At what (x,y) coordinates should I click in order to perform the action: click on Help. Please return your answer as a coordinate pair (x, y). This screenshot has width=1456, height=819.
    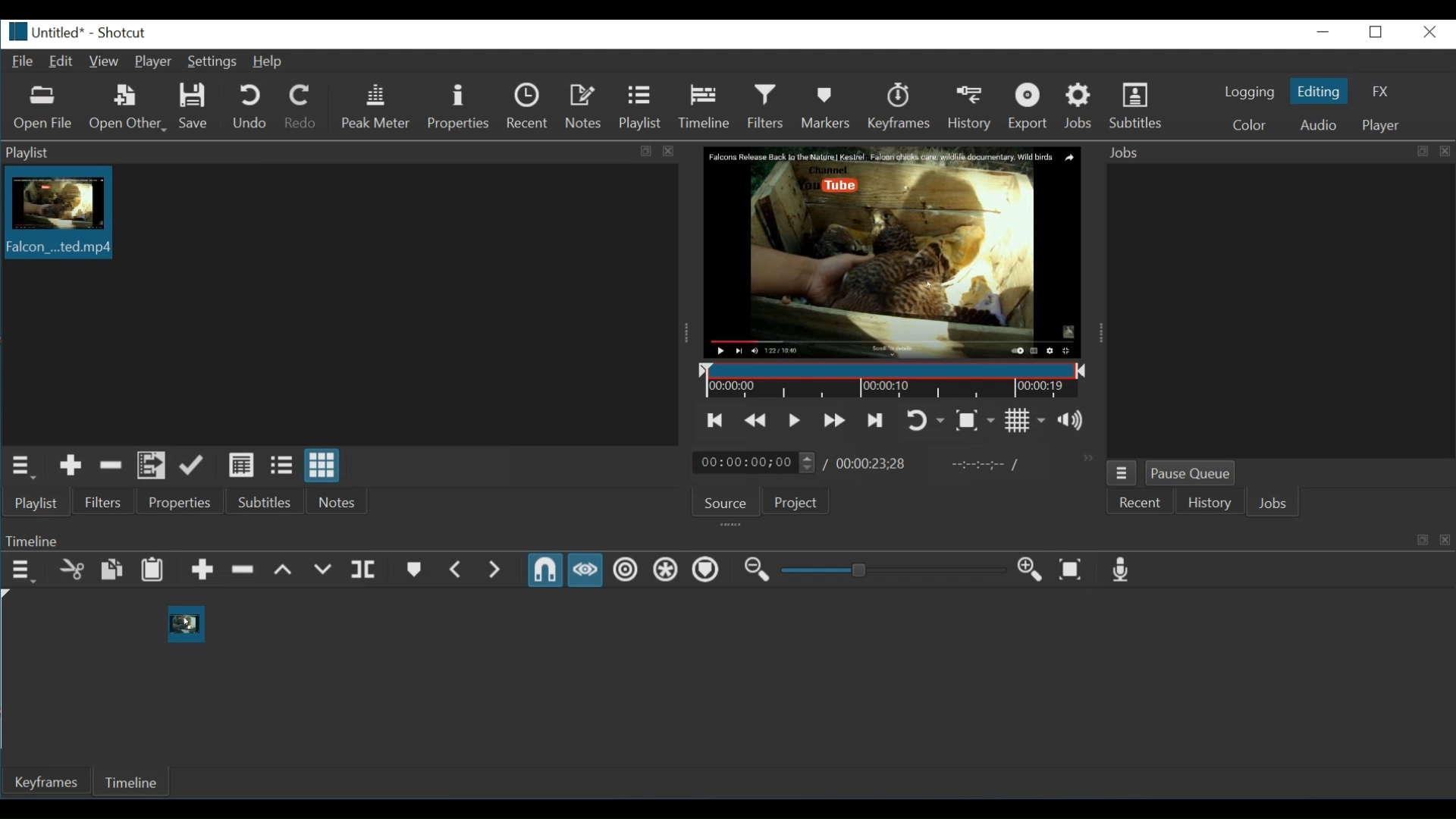
    Looking at the image, I should click on (269, 63).